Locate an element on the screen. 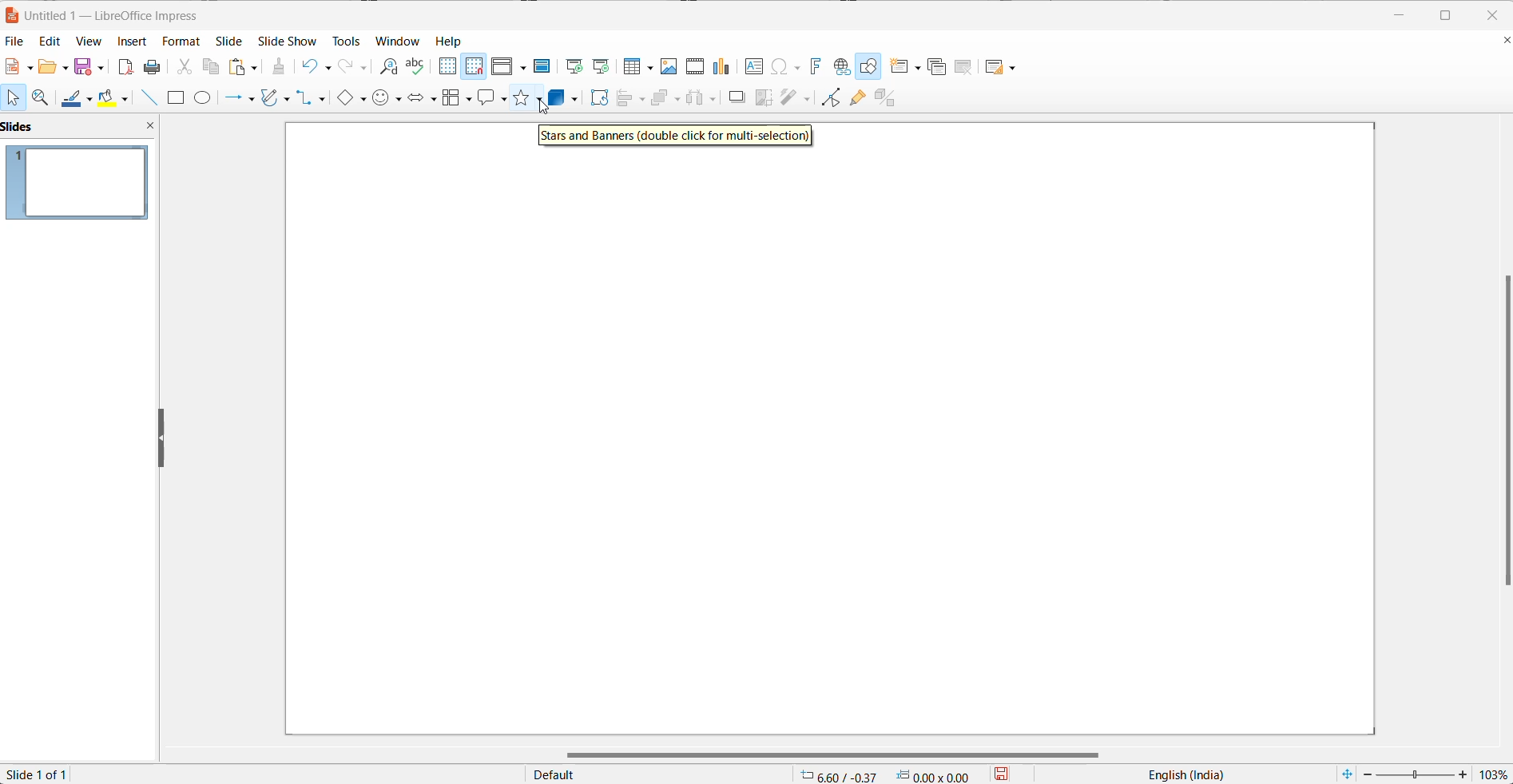 Image resolution: width=1513 pixels, height=784 pixels. Show draw function is located at coordinates (870, 66).